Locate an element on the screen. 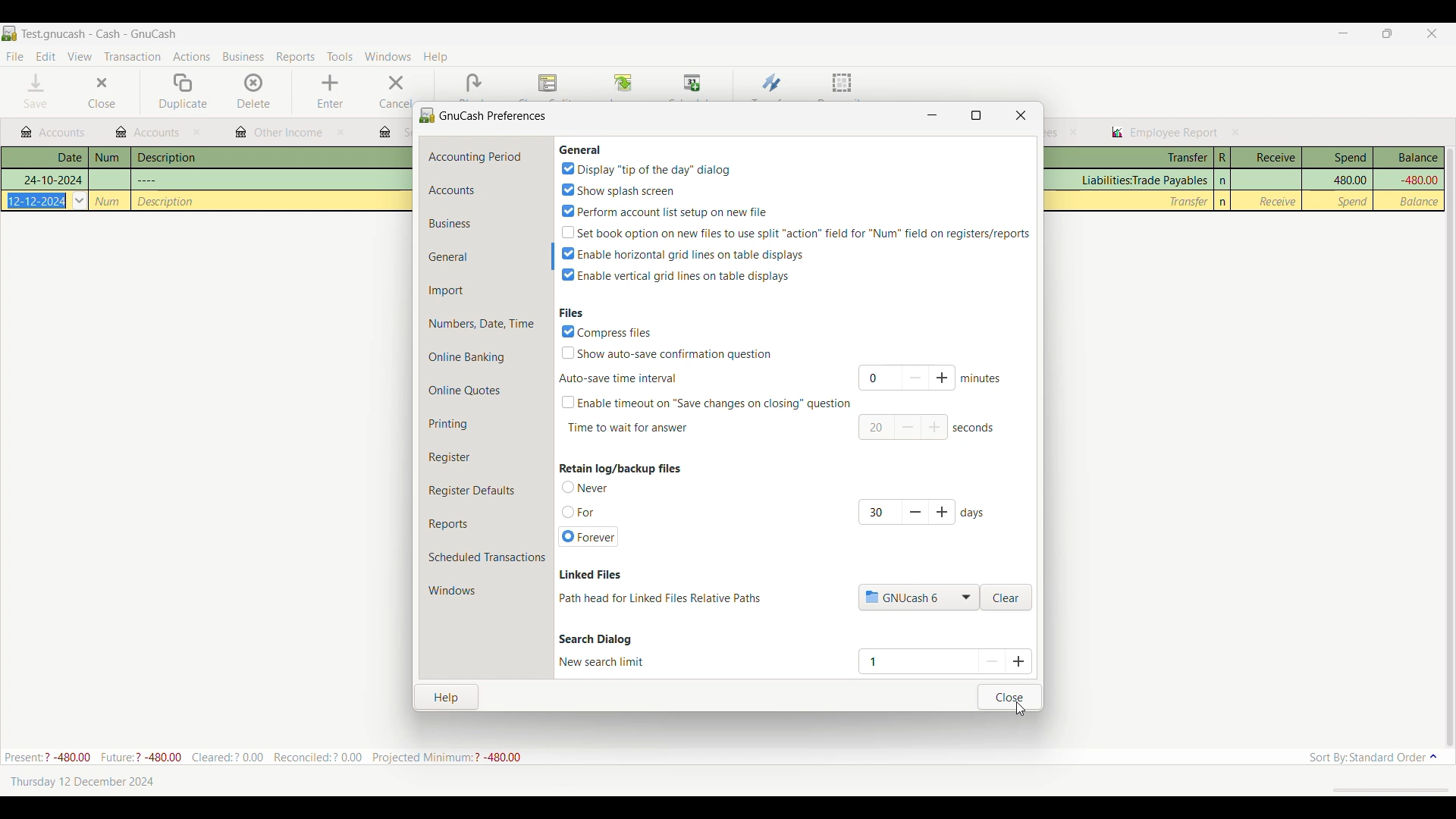  sec is located at coordinates (975, 428).